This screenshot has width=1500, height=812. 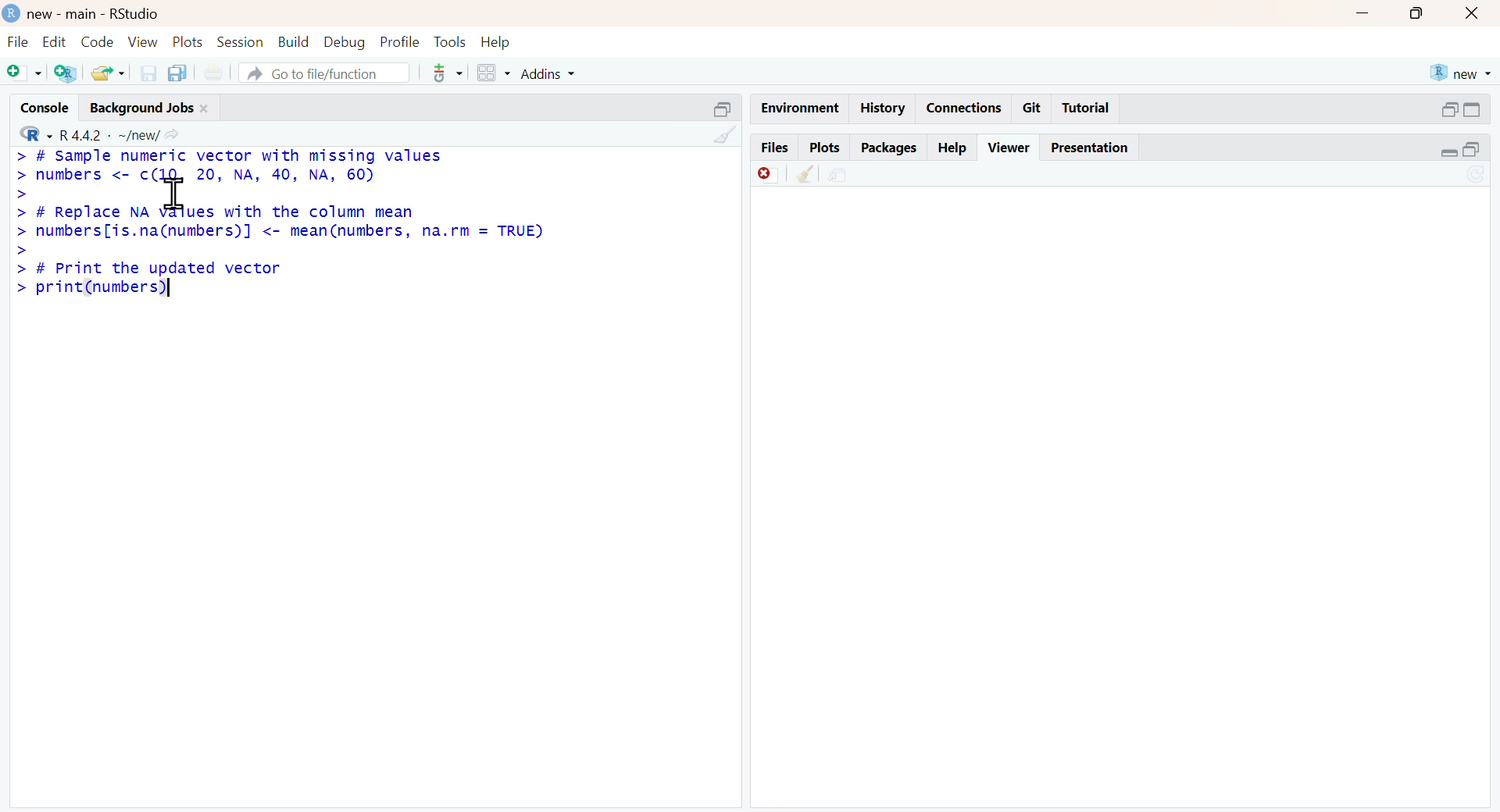 I want to click on viewer, so click(x=1009, y=148).